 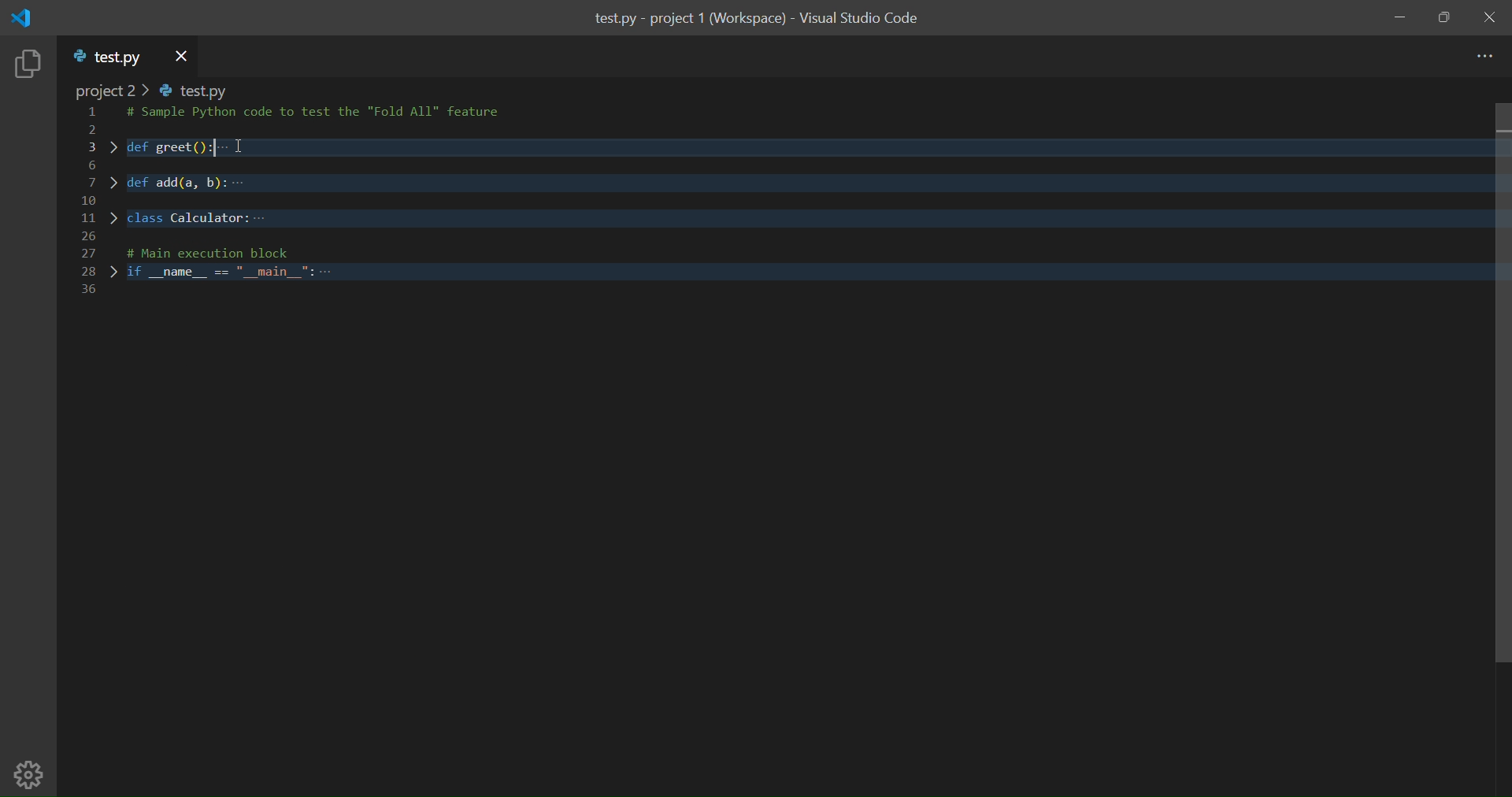 What do you see at coordinates (1484, 57) in the screenshot?
I see `more actions` at bounding box center [1484, 57].